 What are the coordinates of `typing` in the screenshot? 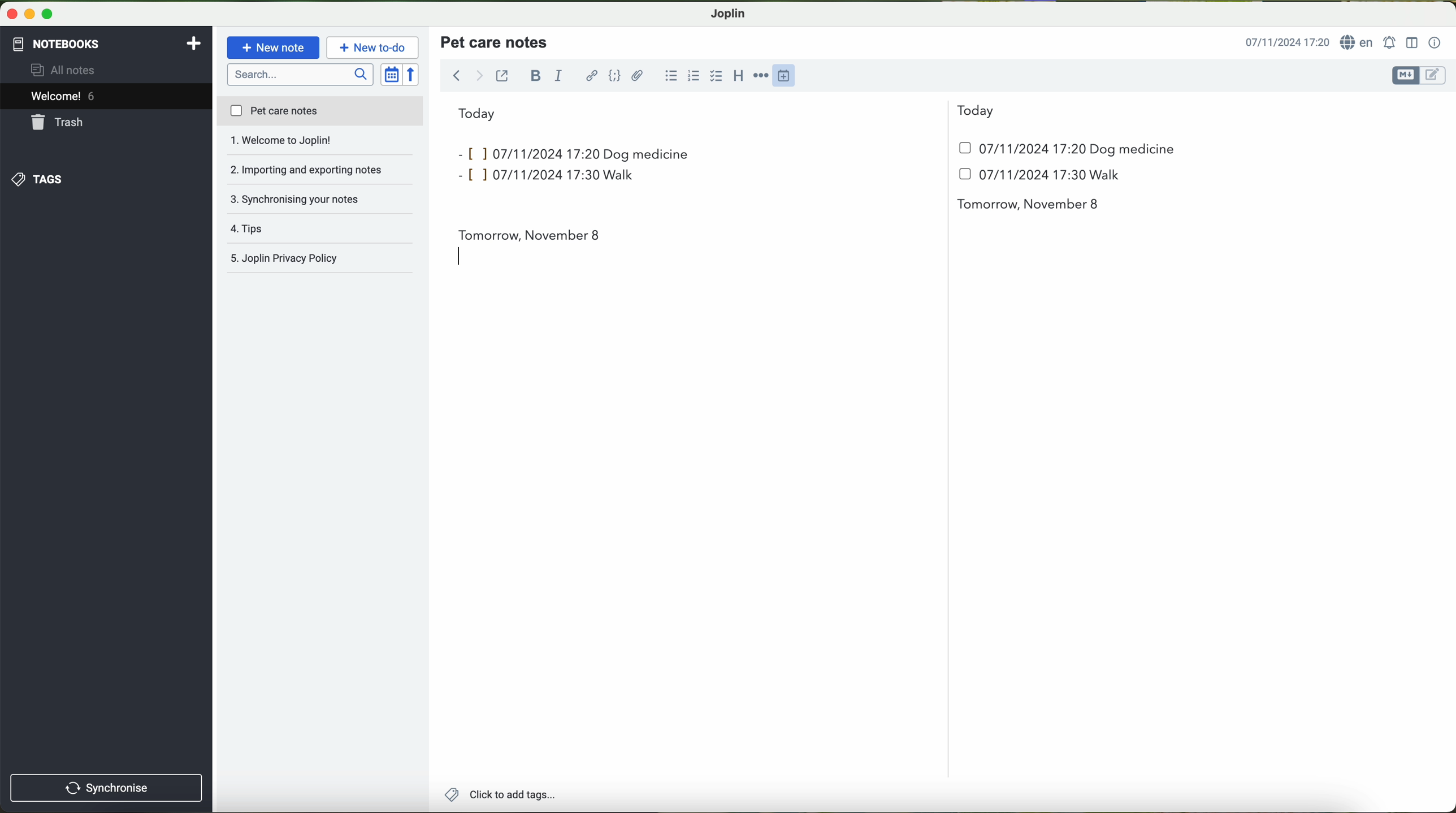 It's located at (458, 258).